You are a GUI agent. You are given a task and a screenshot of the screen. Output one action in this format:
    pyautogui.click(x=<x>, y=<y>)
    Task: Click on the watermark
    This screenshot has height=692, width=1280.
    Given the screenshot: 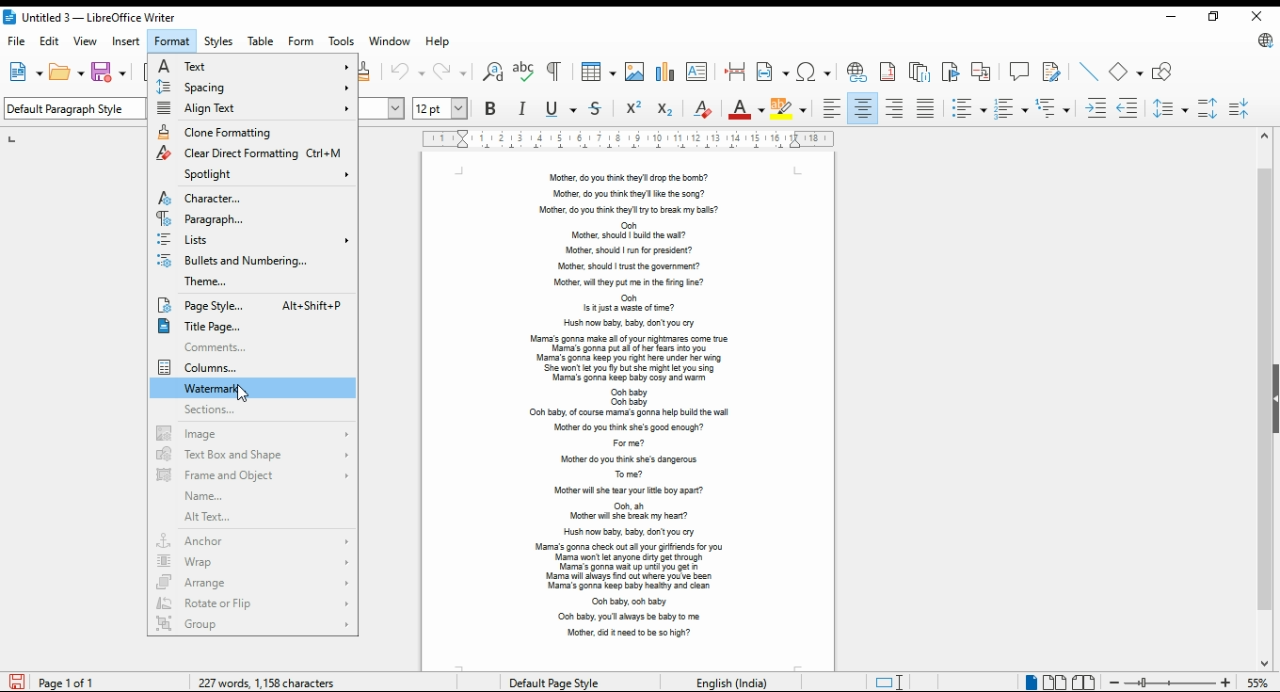 What is the action you would take?
    pyautogui.click(x=254, y=388)
    